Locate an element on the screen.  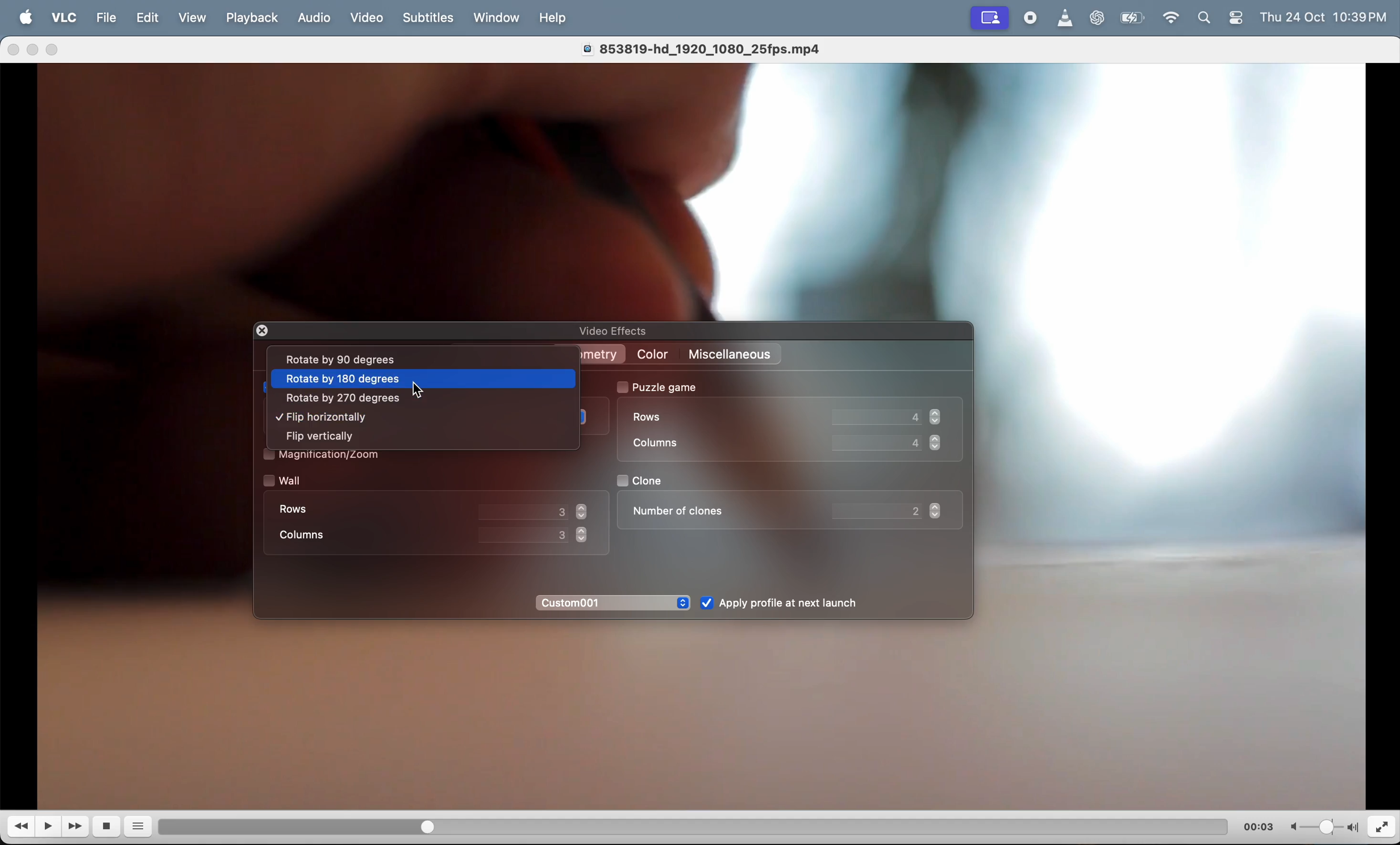
 is located at coordinates (497, 18).